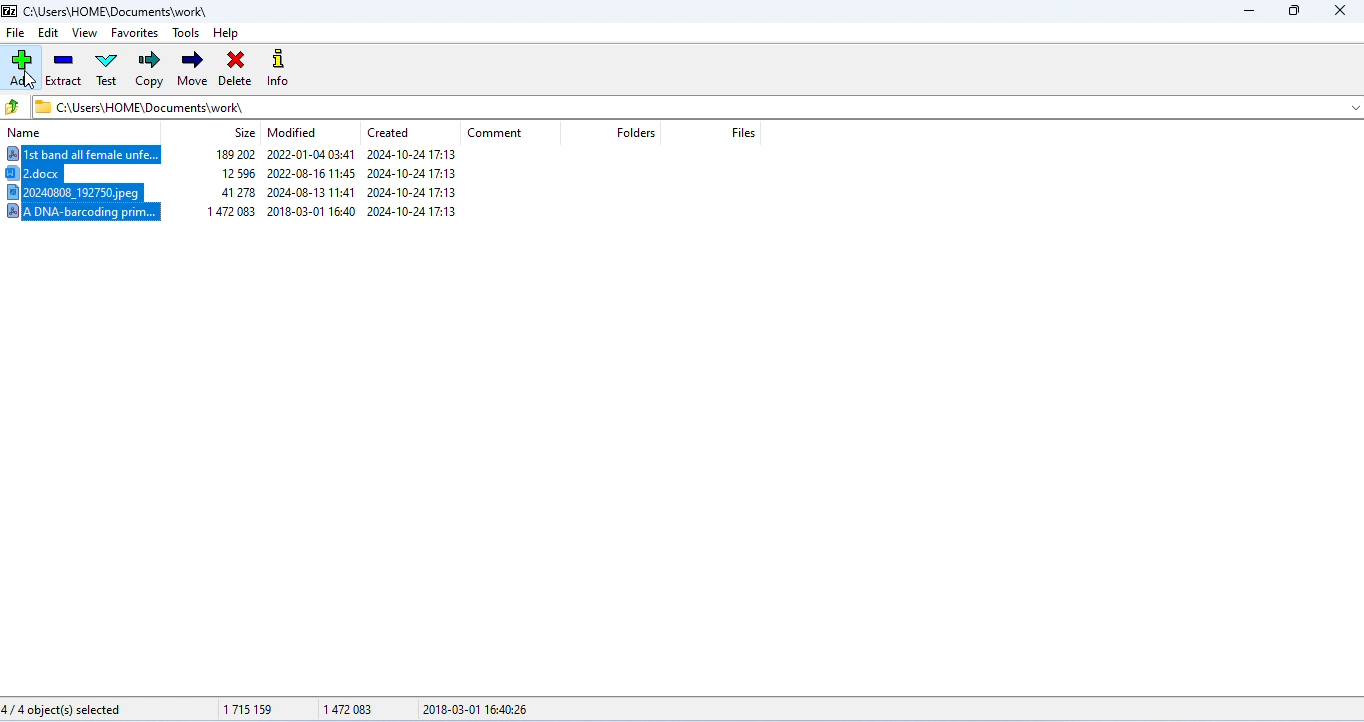  What do you see at coordinates (494, 134) in the screenshot?
I see `comment` at bounding box center [494, 134].